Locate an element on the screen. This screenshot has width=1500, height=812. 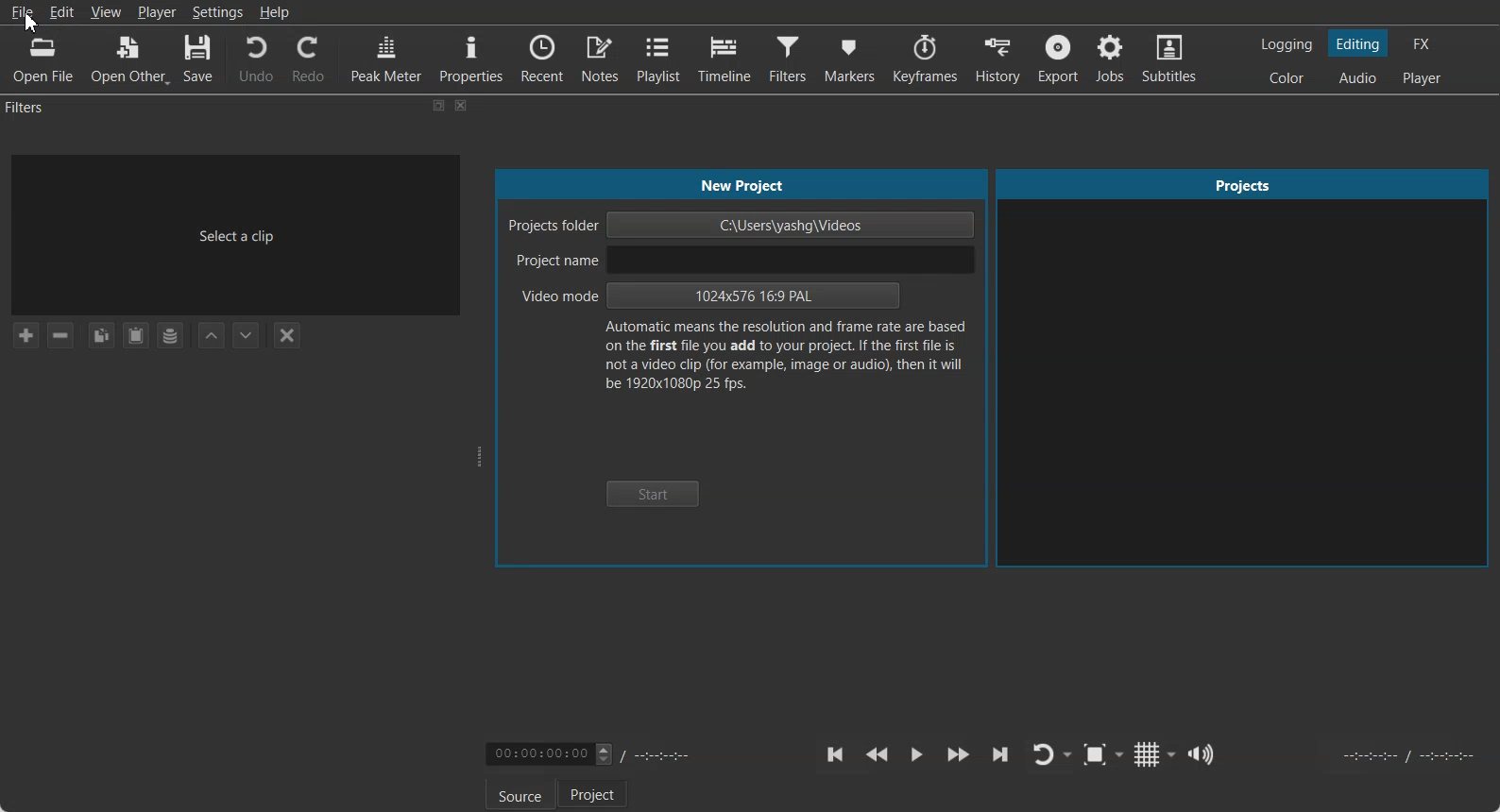
Skip to the previous point is located at coordinates (836, 754).